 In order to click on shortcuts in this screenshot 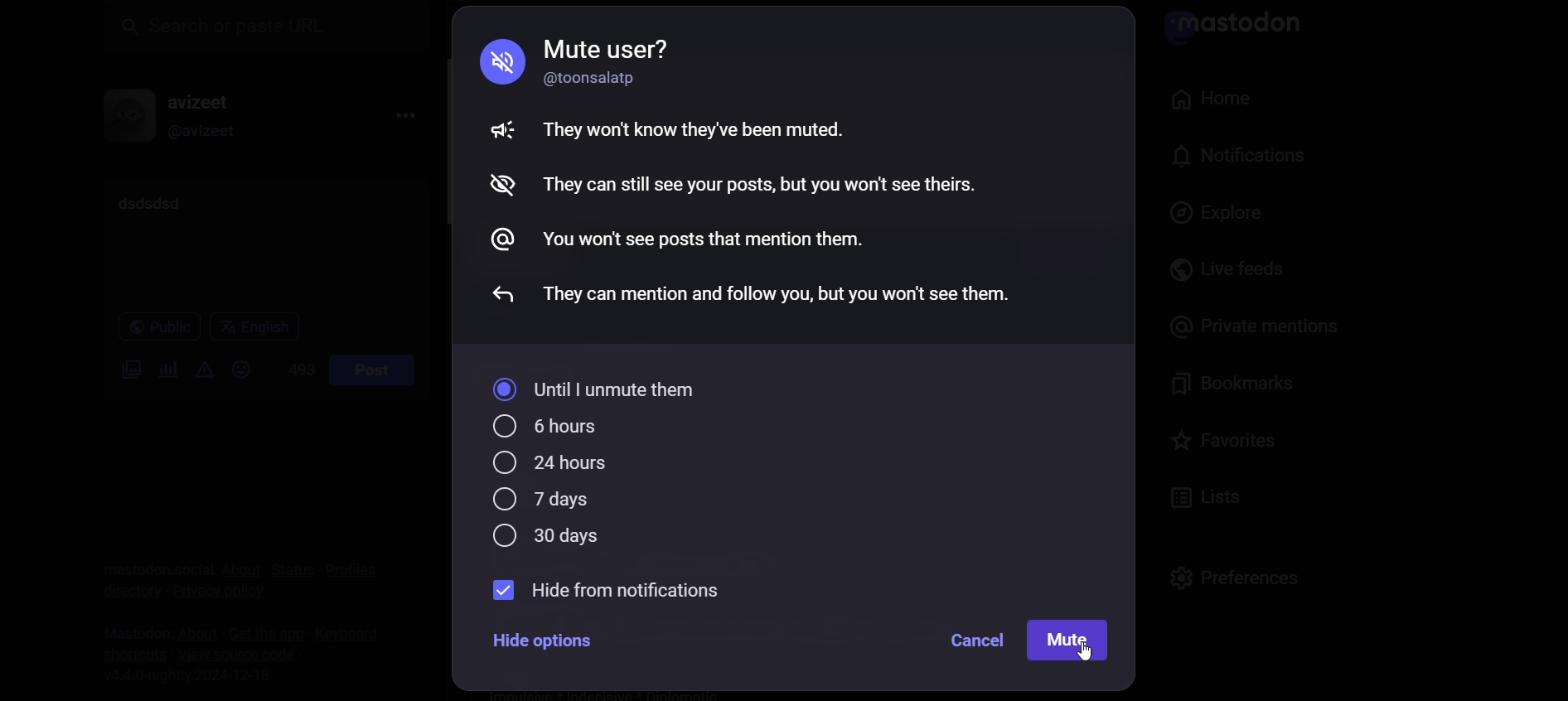, I will do `click(127, 652)`.